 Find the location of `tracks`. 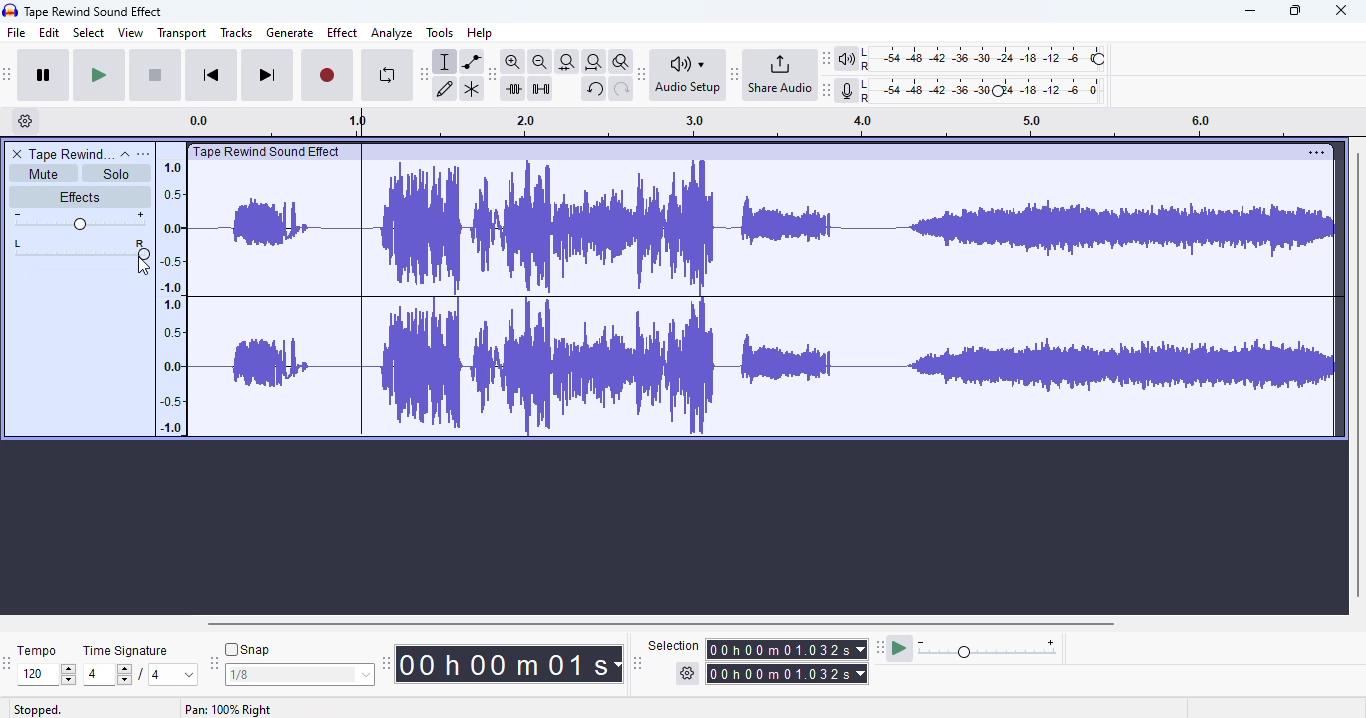

tracks is located at coordinates (236, 32).